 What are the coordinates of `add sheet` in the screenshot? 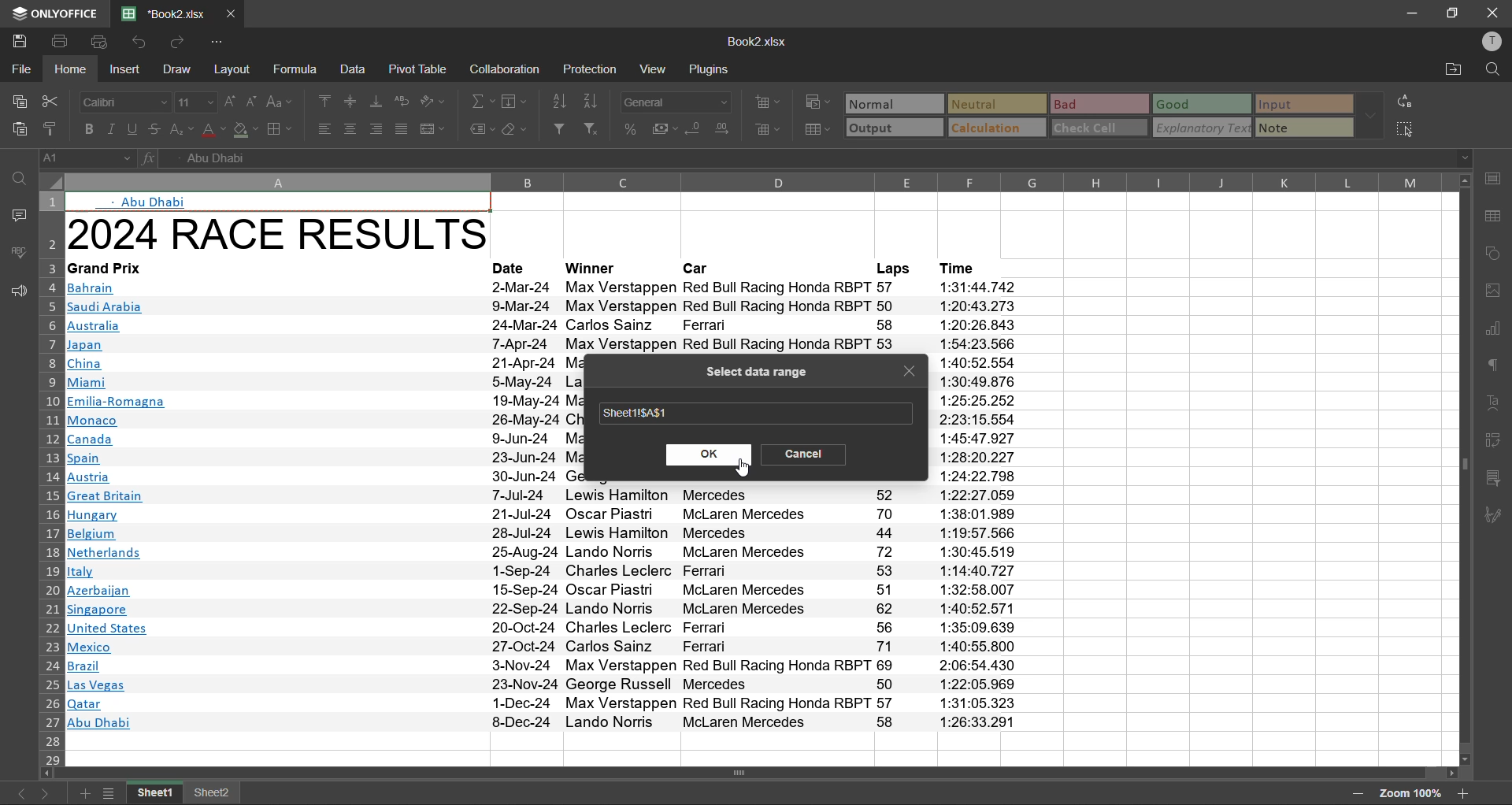 It's located at (84, 793).